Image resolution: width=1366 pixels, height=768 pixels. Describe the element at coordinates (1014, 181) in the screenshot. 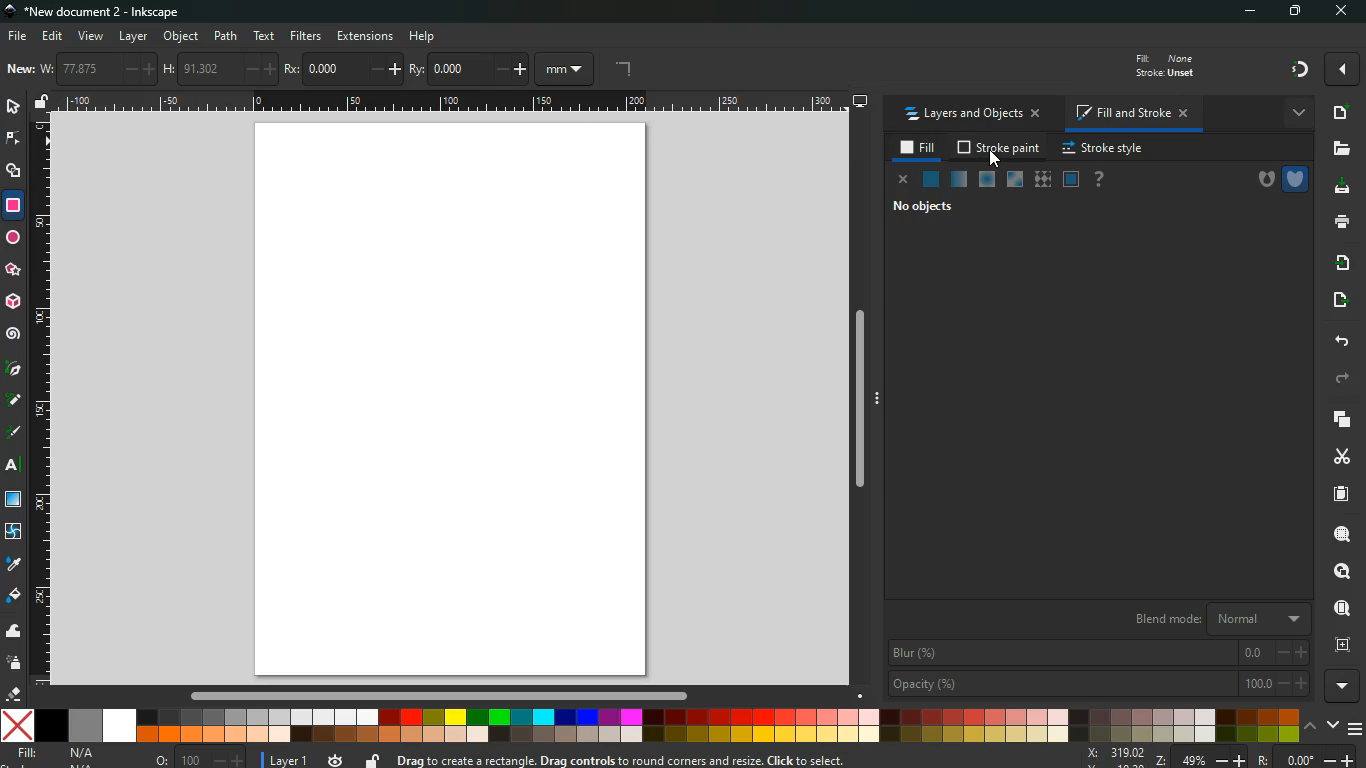

I see `window` at that location.